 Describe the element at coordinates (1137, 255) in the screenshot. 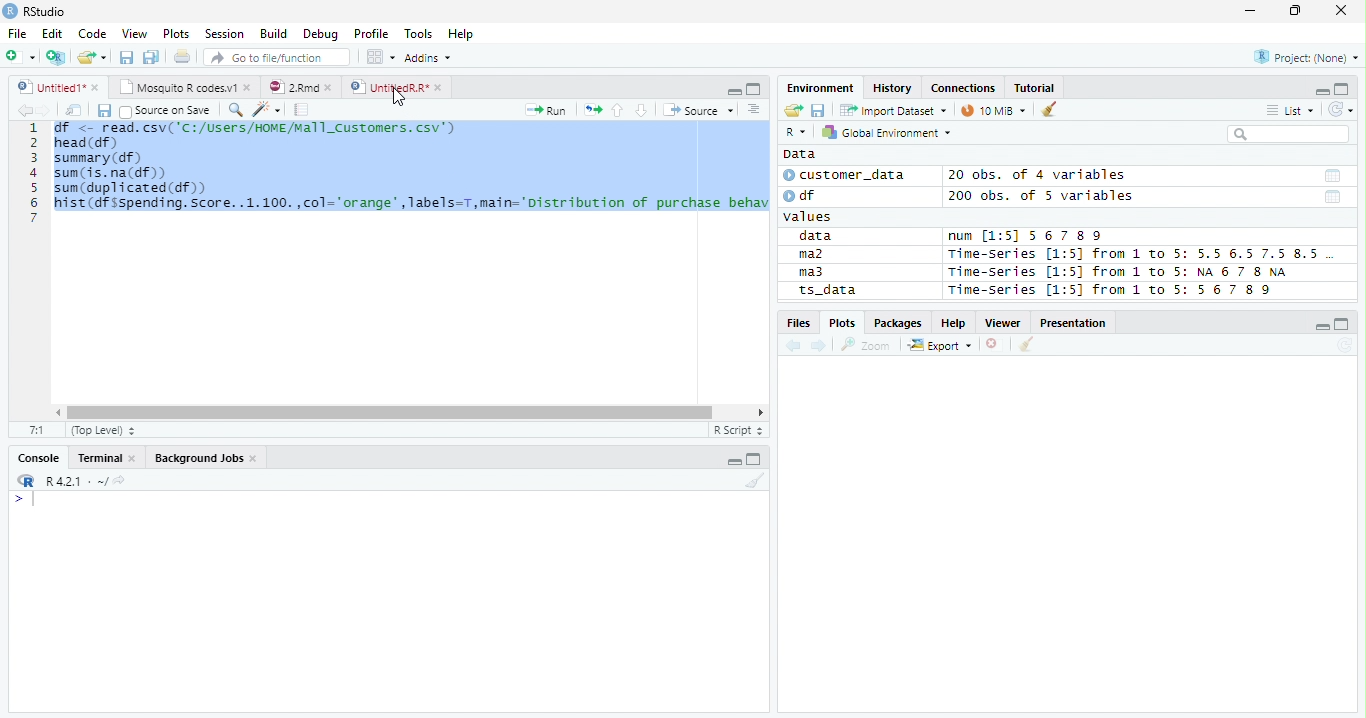

I see `Time-Series [1:5] from 1 to 5: 5.5 6.5 7.5 8.5` at that location.